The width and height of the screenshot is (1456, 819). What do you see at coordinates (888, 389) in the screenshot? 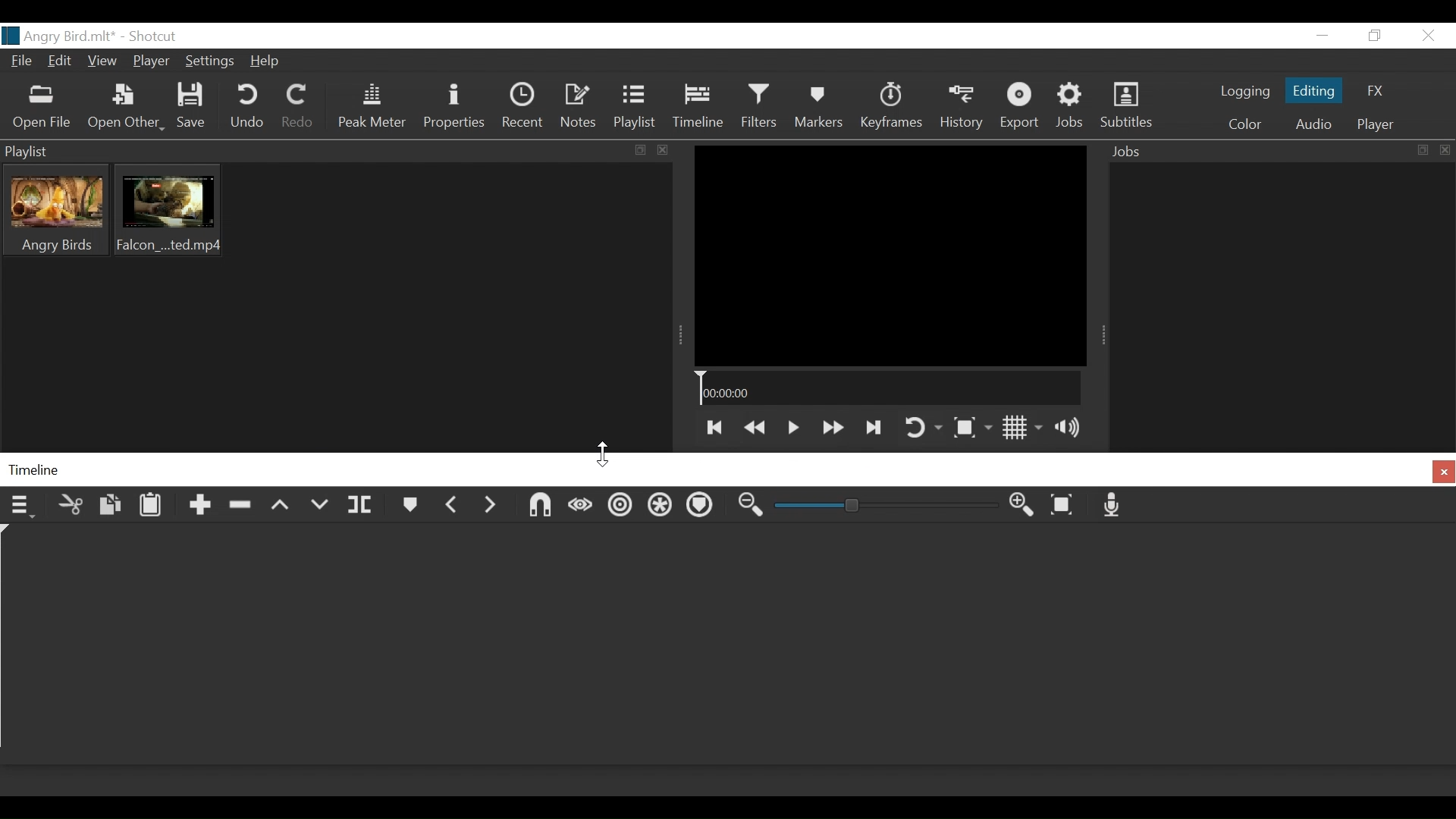
I see `Timeline` at bounding box center [888, 389].